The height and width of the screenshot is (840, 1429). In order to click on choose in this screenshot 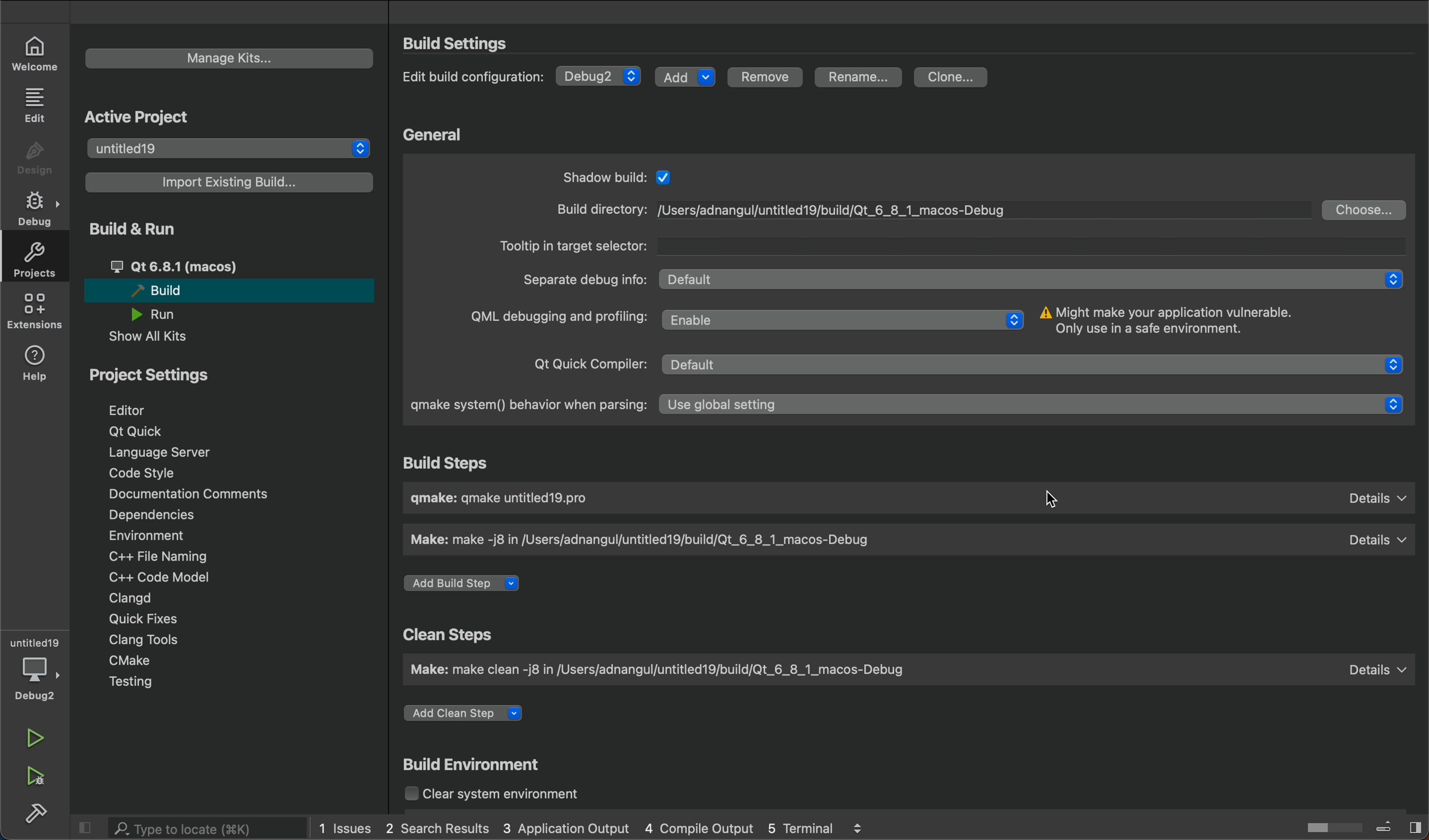, I will do `click(1365, 209)`.